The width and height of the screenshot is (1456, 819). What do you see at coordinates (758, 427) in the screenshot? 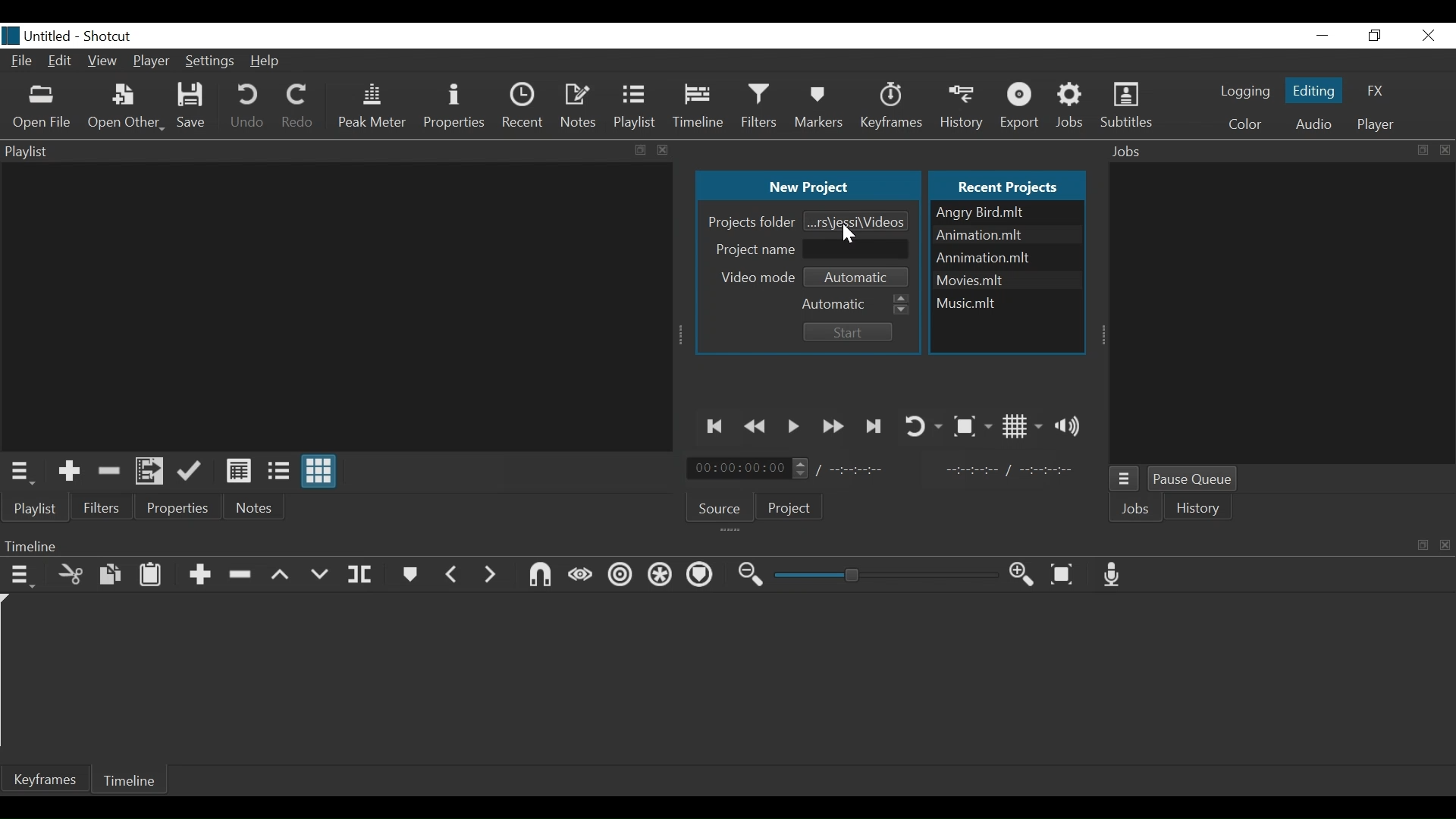
I see `Play backwards quickly` at bounding box center [758, 427].